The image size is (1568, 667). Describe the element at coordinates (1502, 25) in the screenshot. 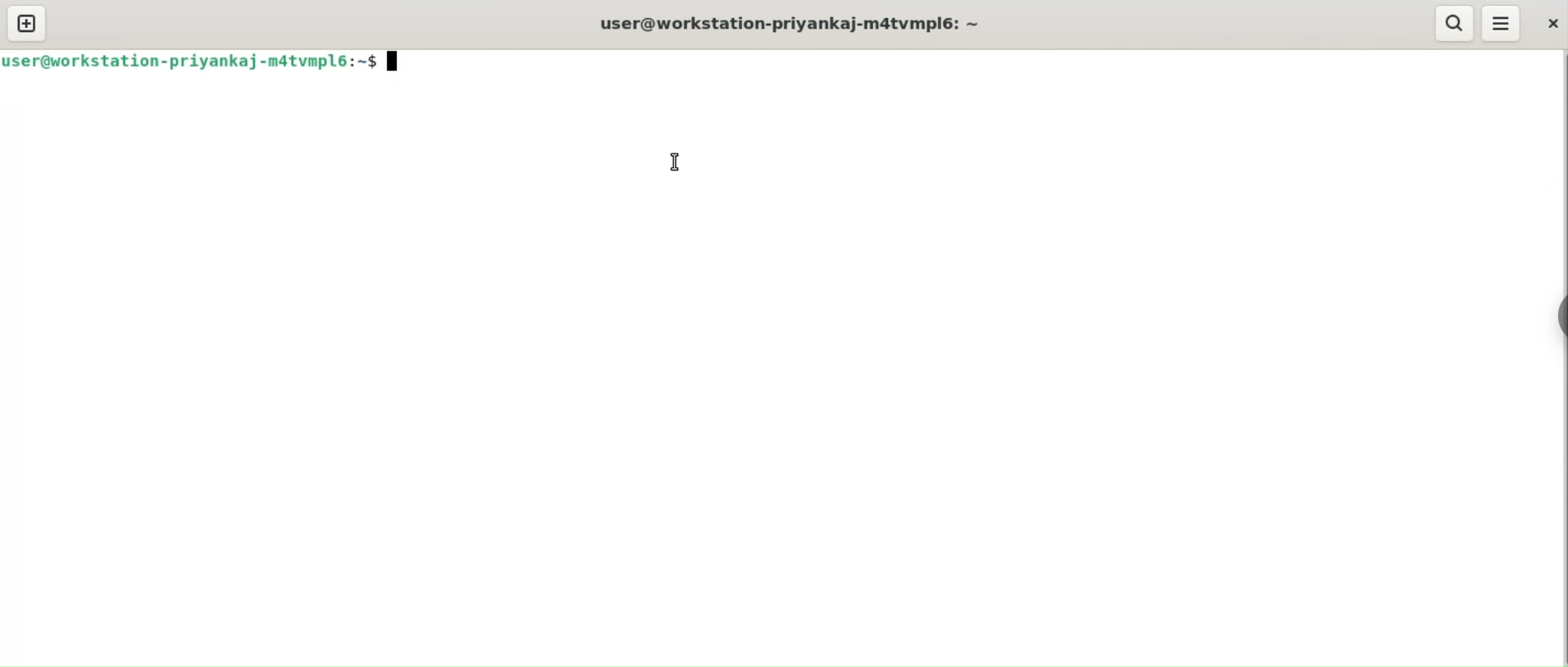

I see `menu` at that location.